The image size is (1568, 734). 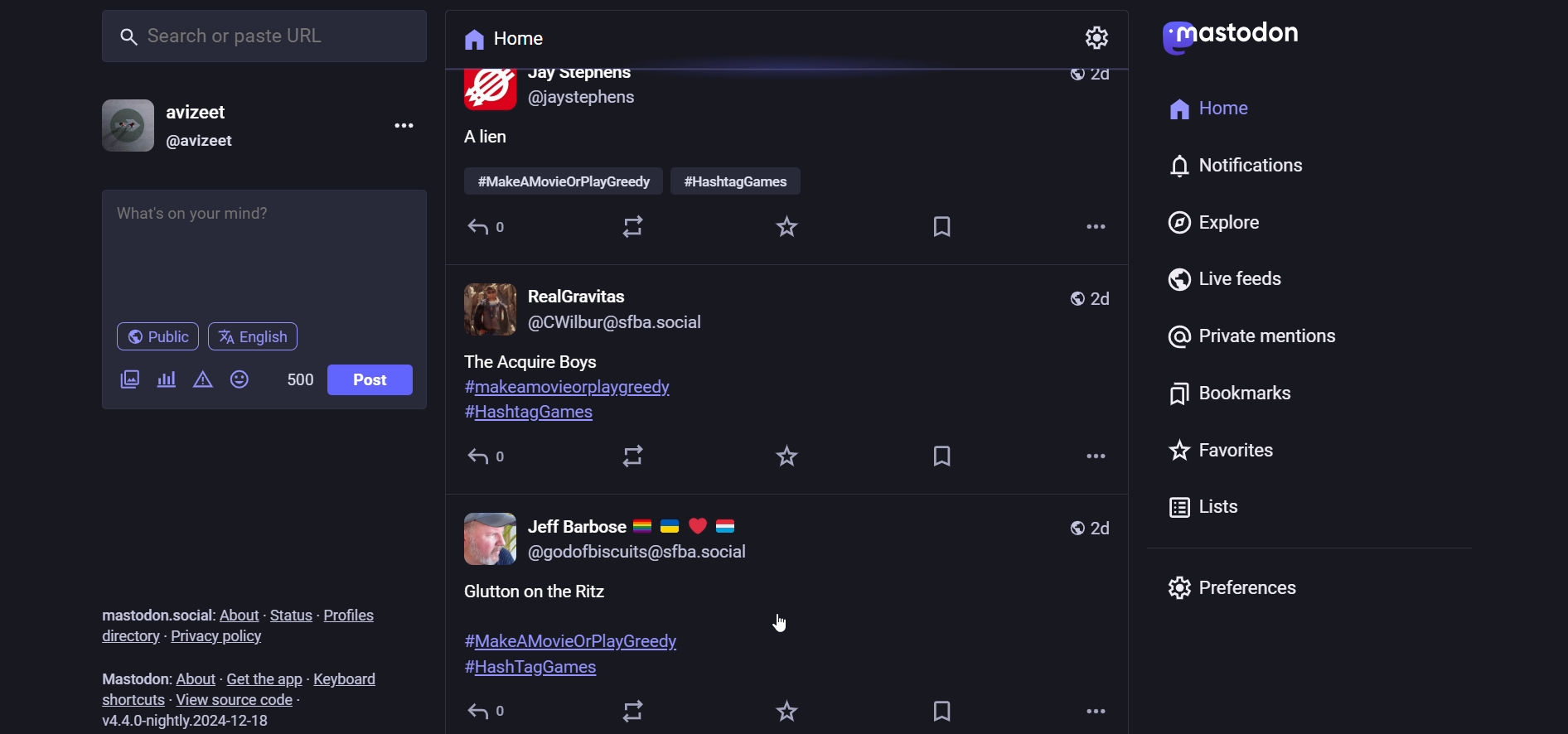 I want to click on image/video, so click(x=128, y=377).